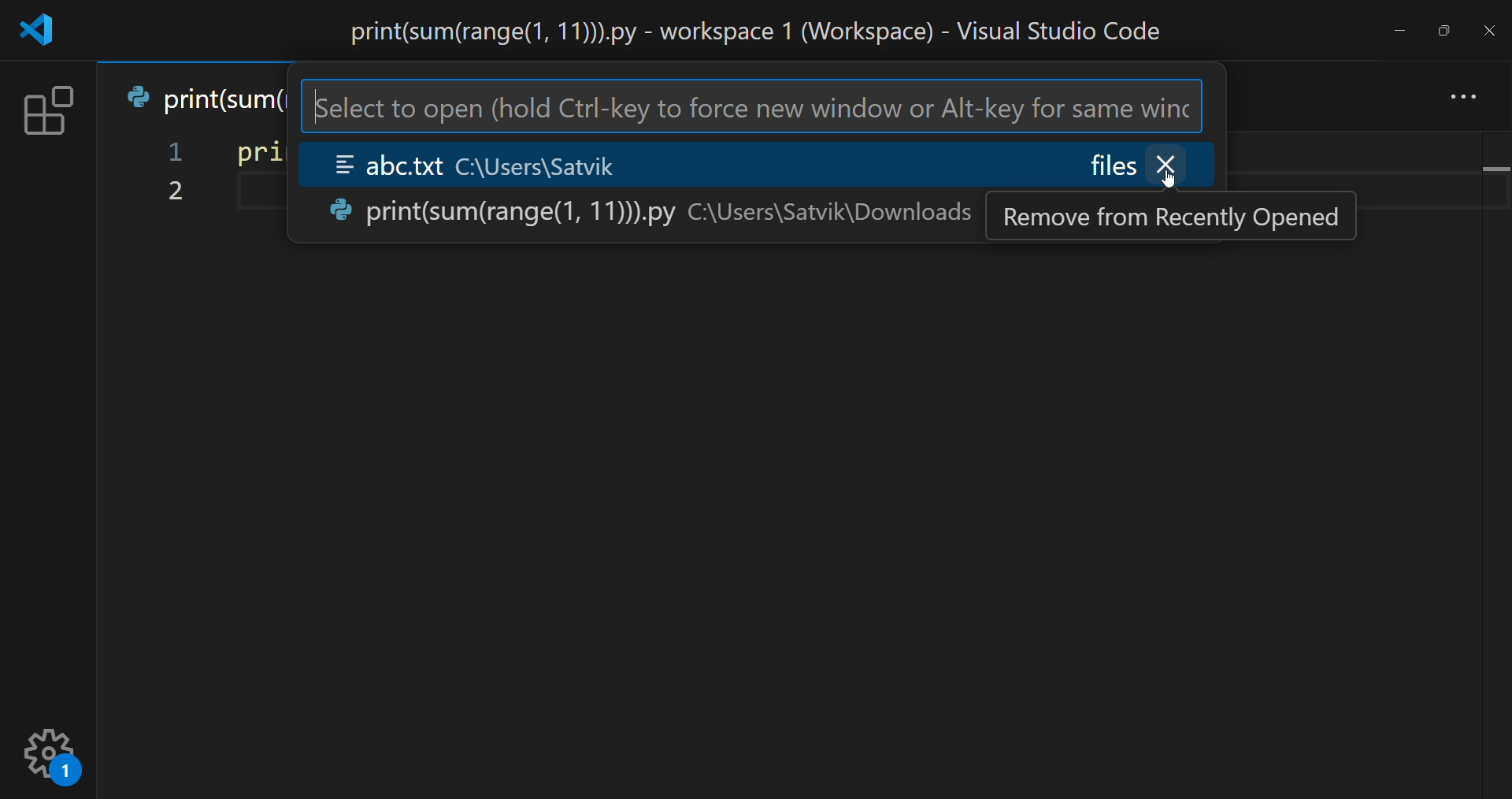  What do you see at coordinates (1464, 95) in the screenshot?
I see `more` at bounding box center [1464, 95].